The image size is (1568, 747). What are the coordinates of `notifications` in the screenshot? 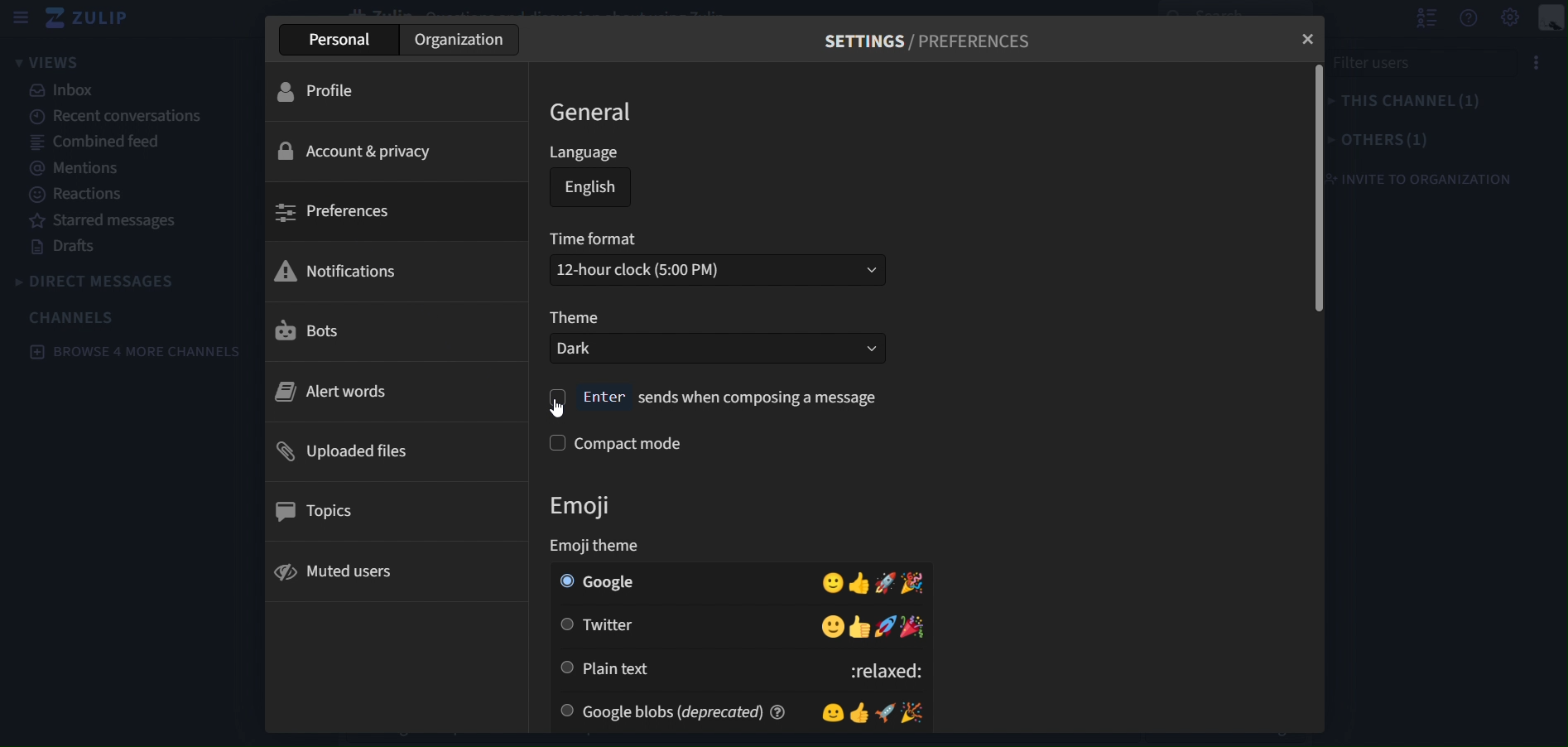 It's located at (386, 270).